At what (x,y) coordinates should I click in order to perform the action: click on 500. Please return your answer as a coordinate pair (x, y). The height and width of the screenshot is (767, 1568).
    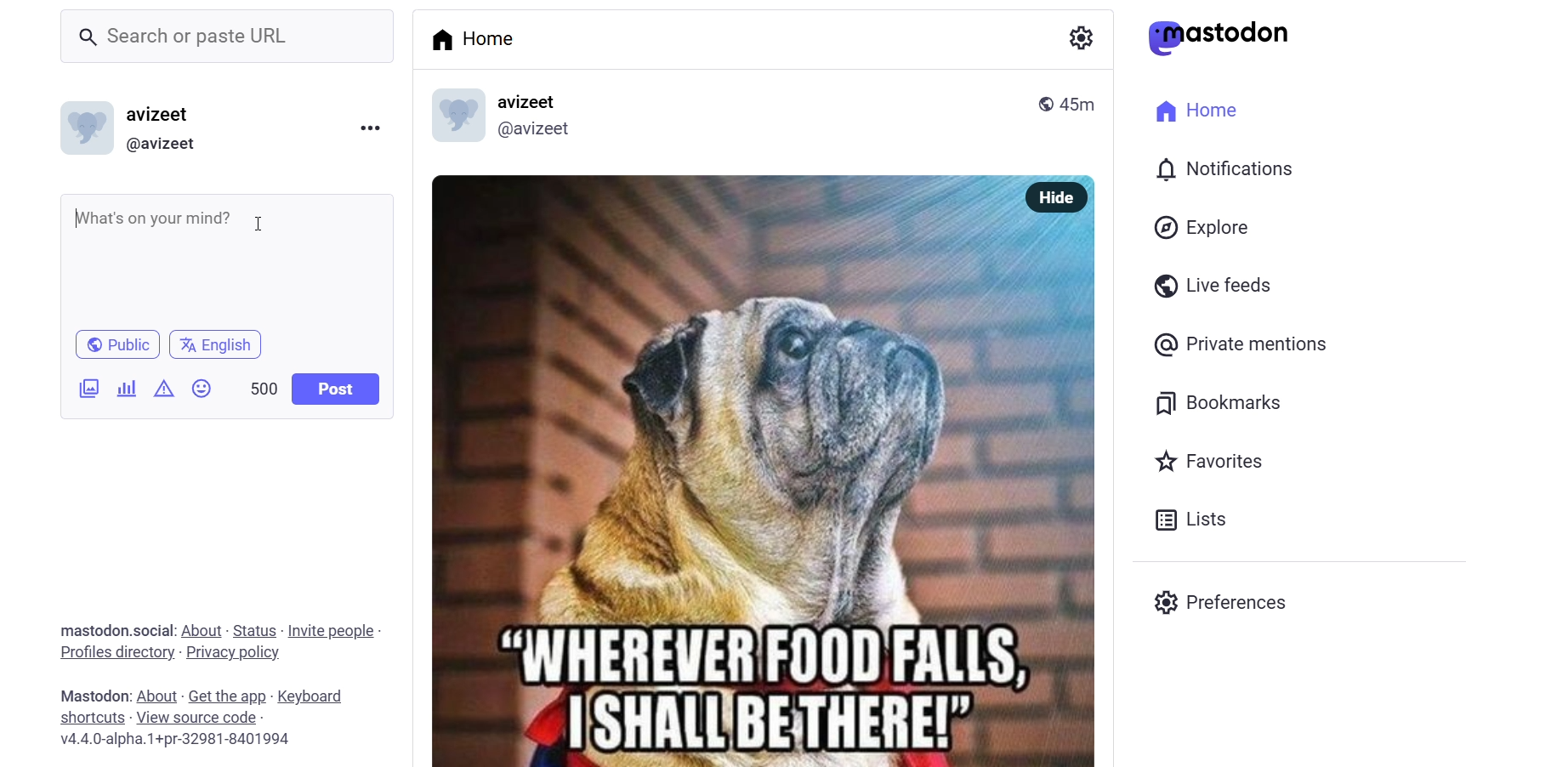
    Looking at the image, I should click on (261, 389).